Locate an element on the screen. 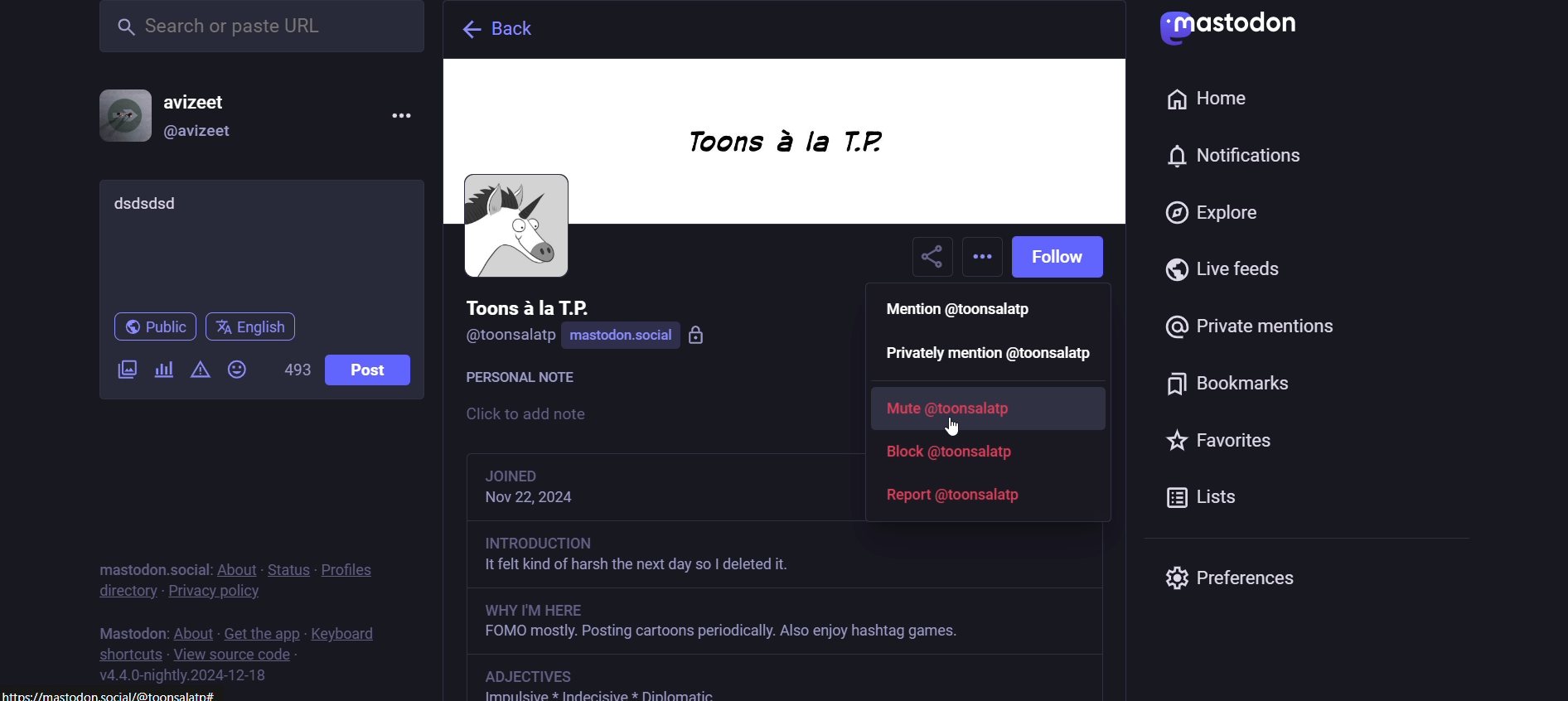 The image size is (1568, 701). logo is located at coordinates (1240, 28).